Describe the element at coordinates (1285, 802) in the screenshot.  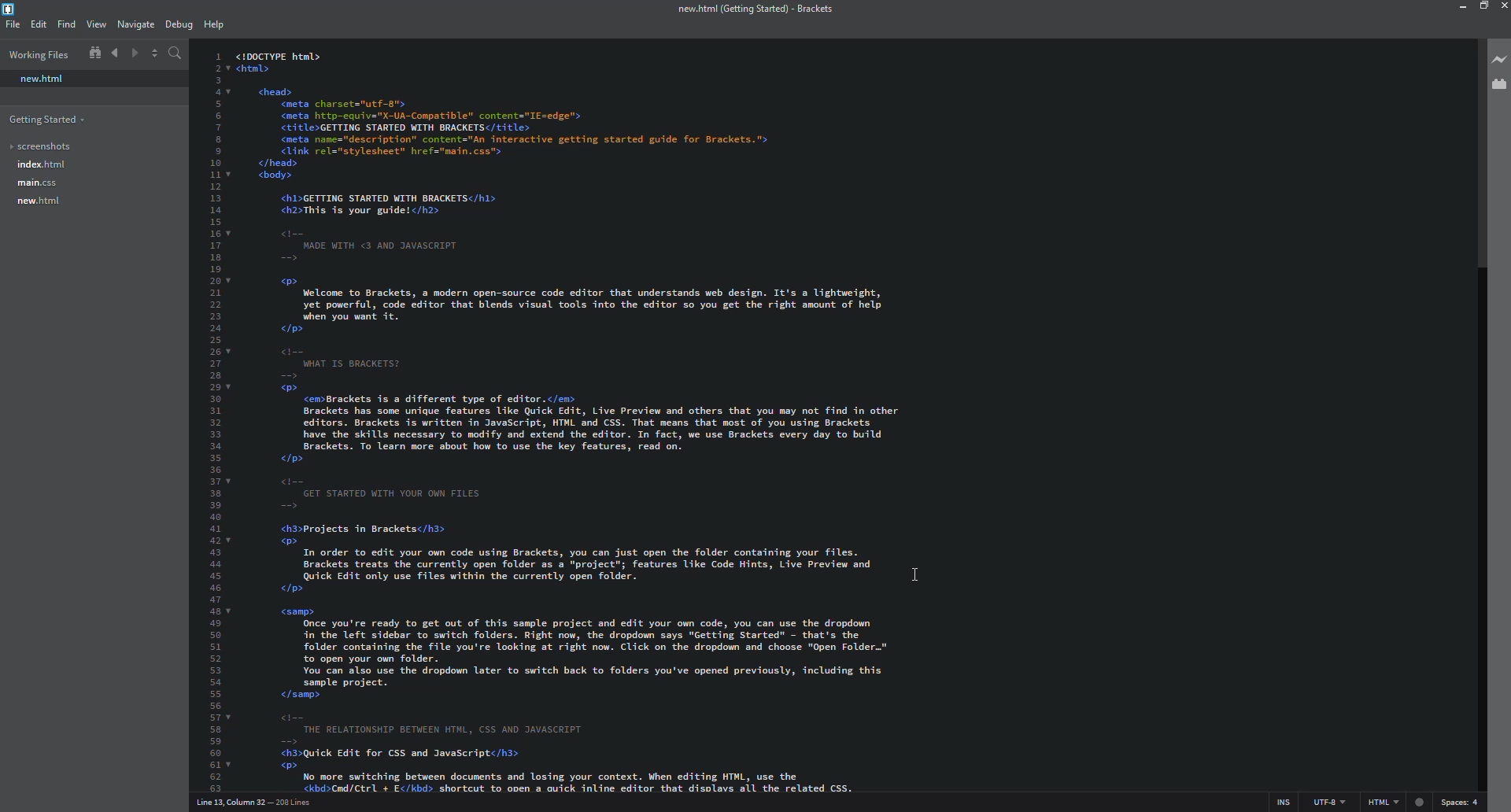
I see `ins` at that location.